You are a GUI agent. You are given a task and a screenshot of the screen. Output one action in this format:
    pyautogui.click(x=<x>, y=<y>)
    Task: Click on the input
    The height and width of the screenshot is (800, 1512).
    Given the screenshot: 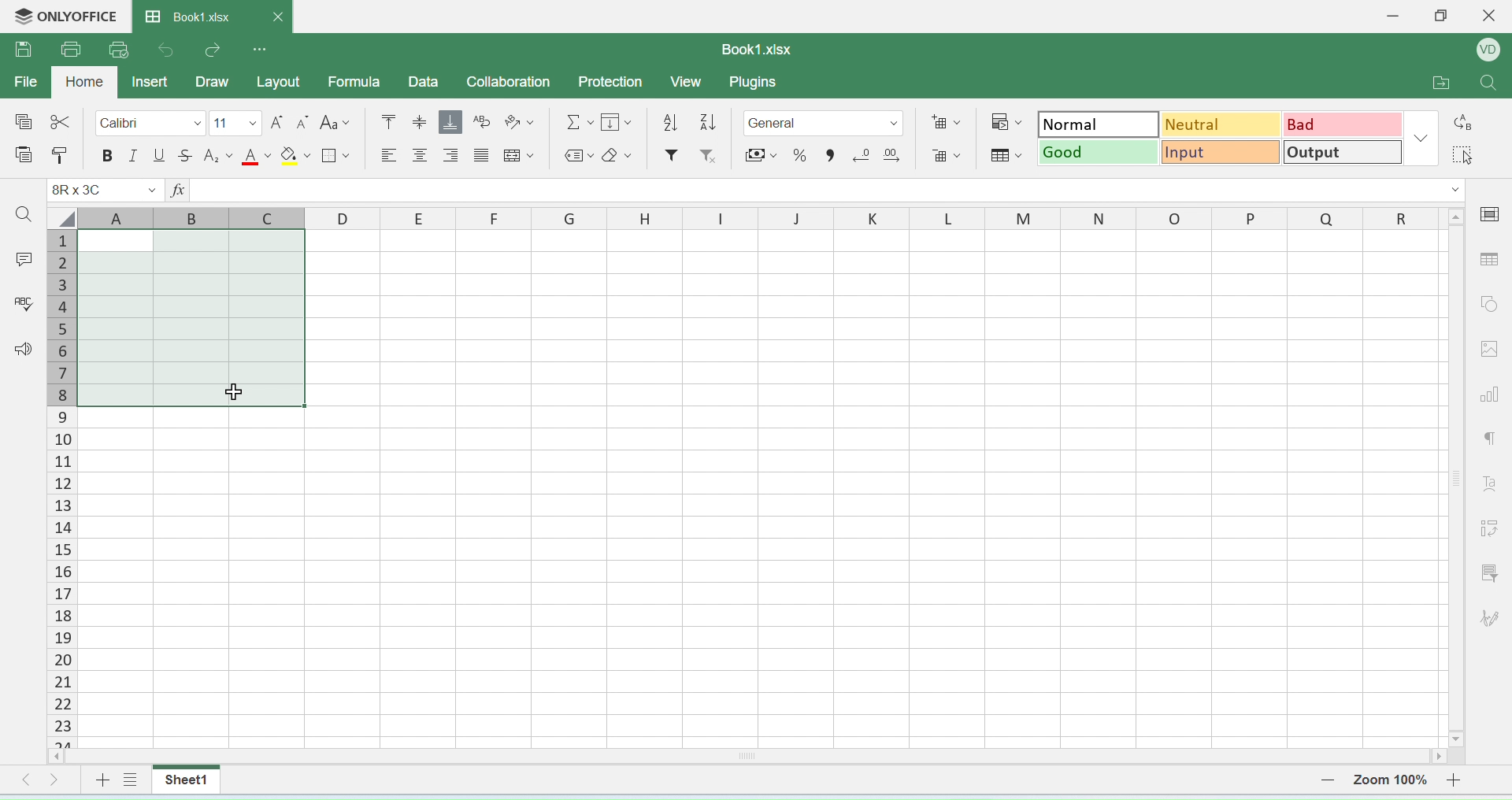 What is the action you would take?
    pyautogui.click(x=1218, y=151)
    